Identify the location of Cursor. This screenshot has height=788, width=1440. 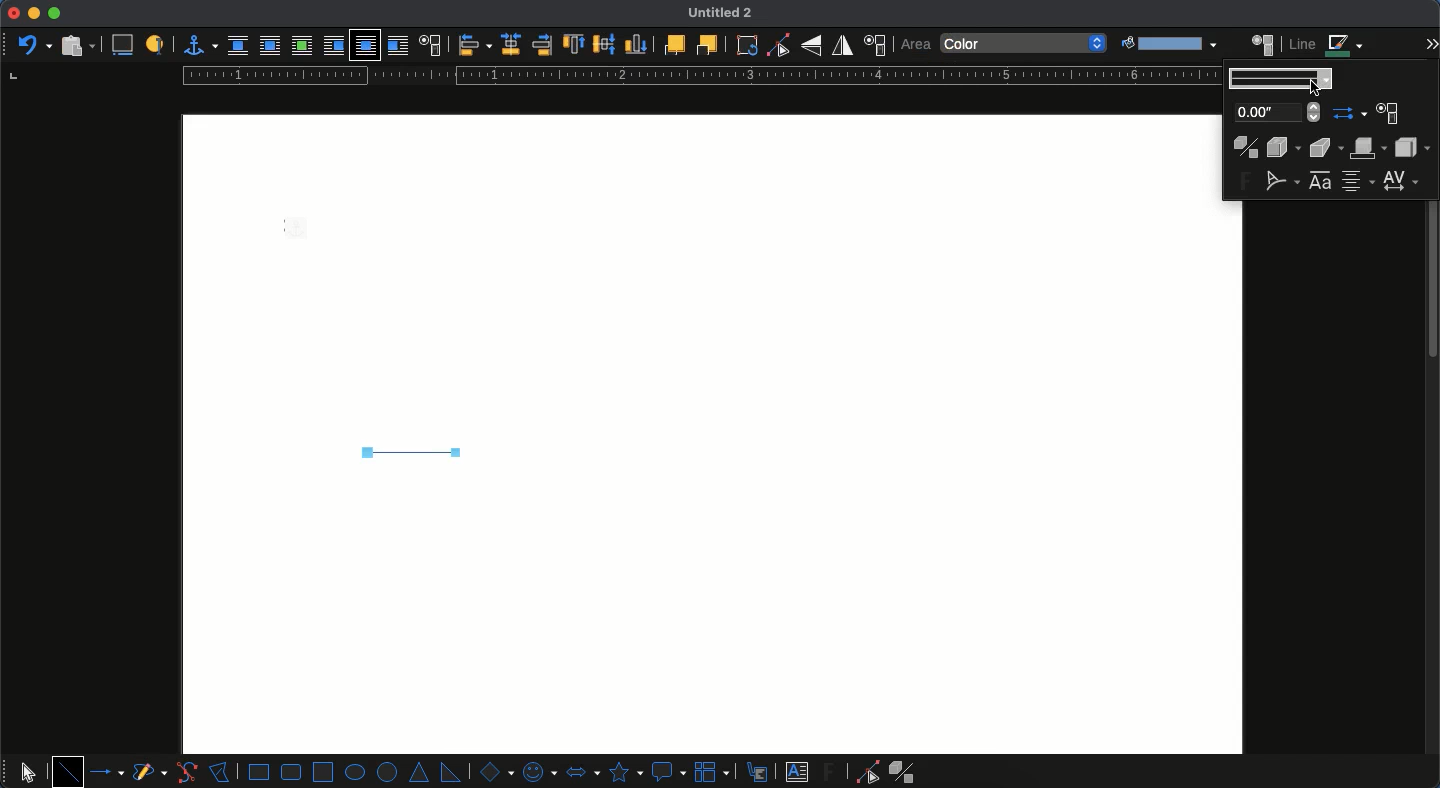
(1315, 90).